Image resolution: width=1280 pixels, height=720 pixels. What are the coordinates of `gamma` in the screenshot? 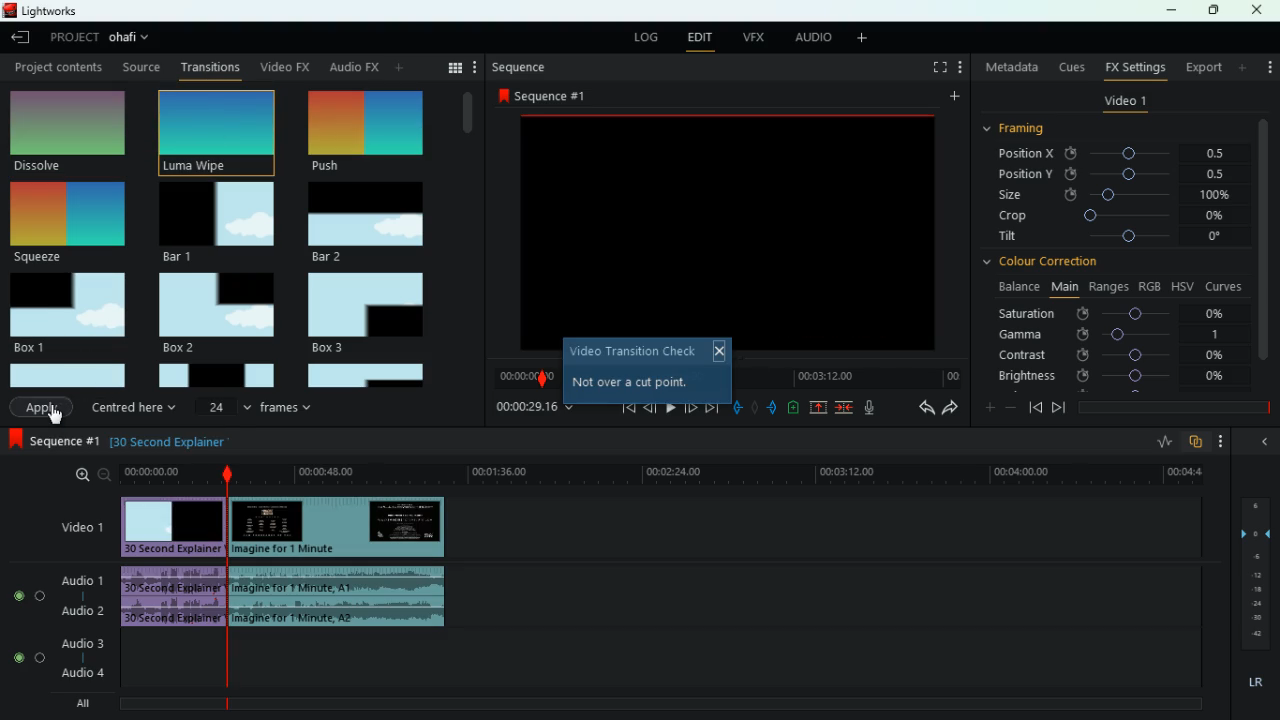 It's located at (1110, 334).